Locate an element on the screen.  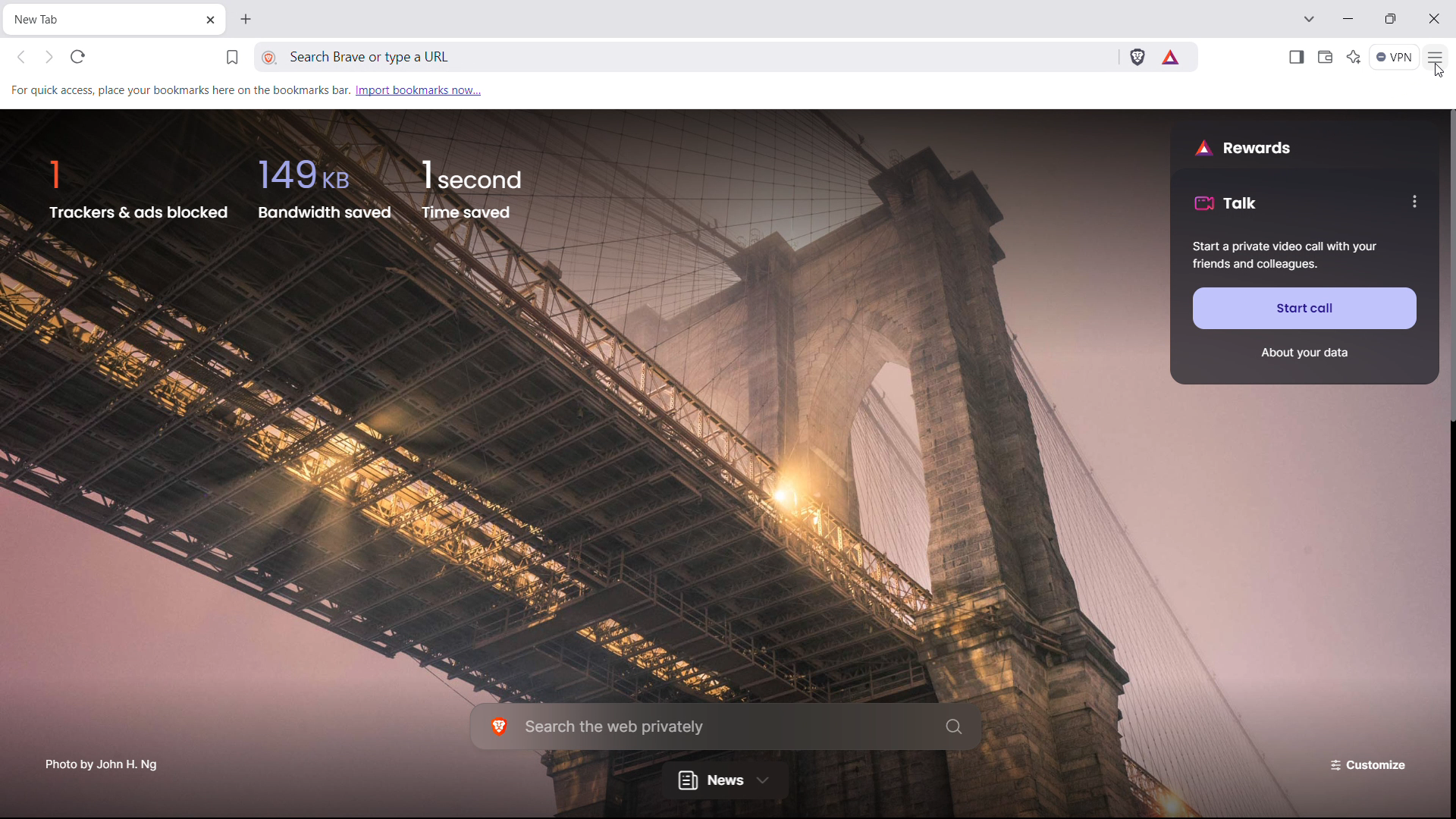
view site information is located at coordinates (268, 57).